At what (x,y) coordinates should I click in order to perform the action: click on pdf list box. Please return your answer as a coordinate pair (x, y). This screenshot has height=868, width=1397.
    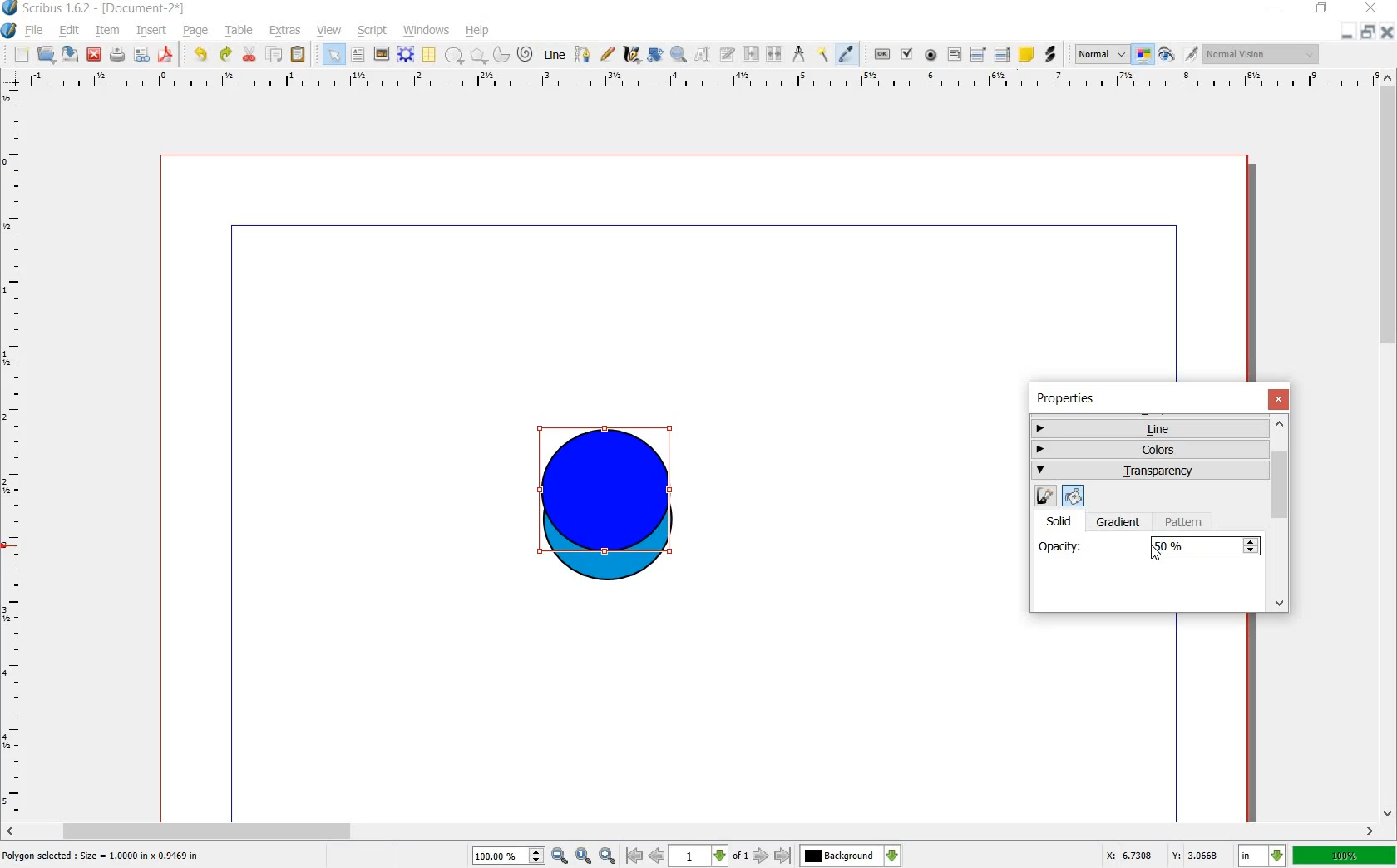
    Looking at the image, I should click on (1002, 52).